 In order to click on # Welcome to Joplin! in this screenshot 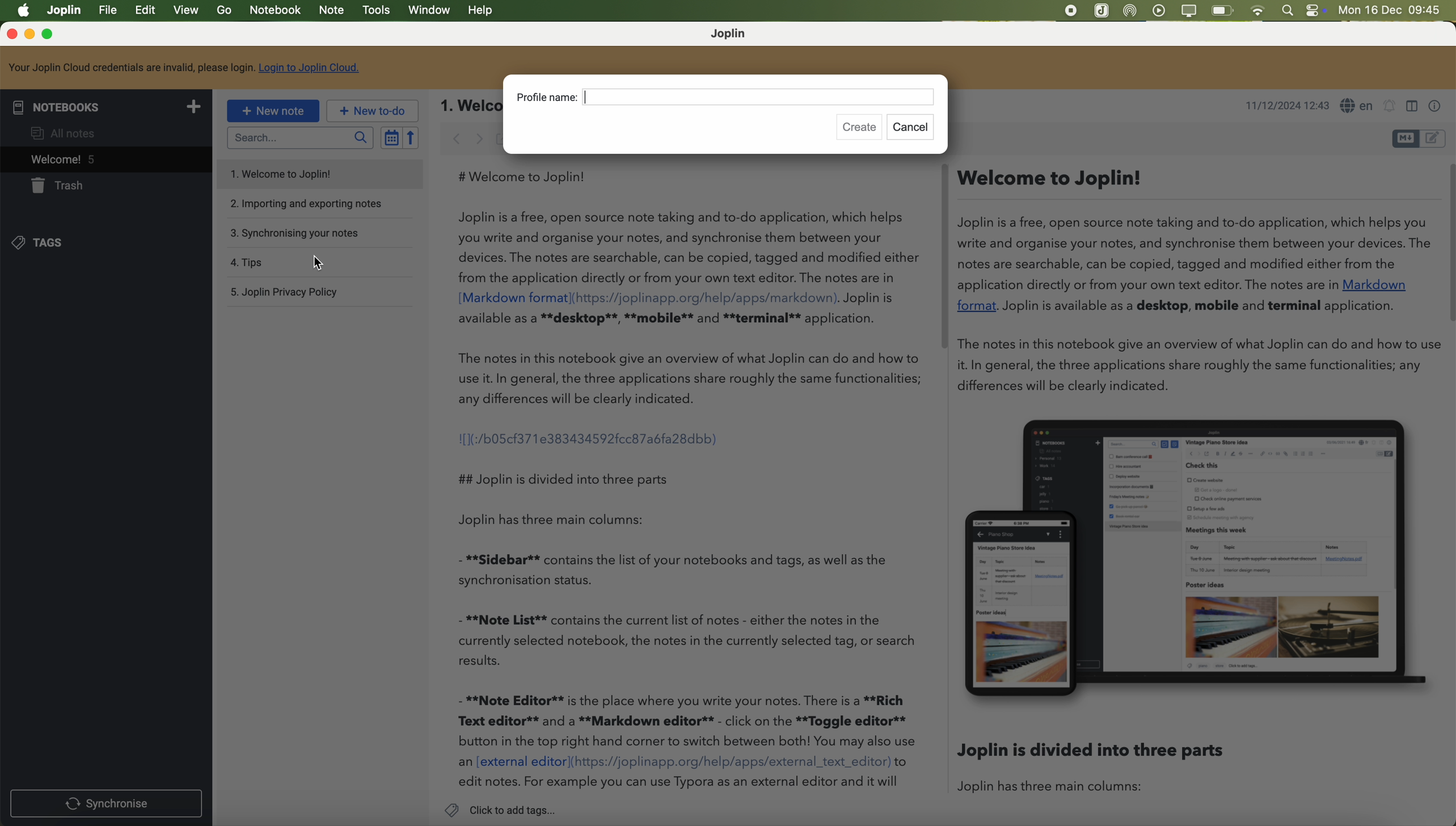, I will do `click(527, 176)`.